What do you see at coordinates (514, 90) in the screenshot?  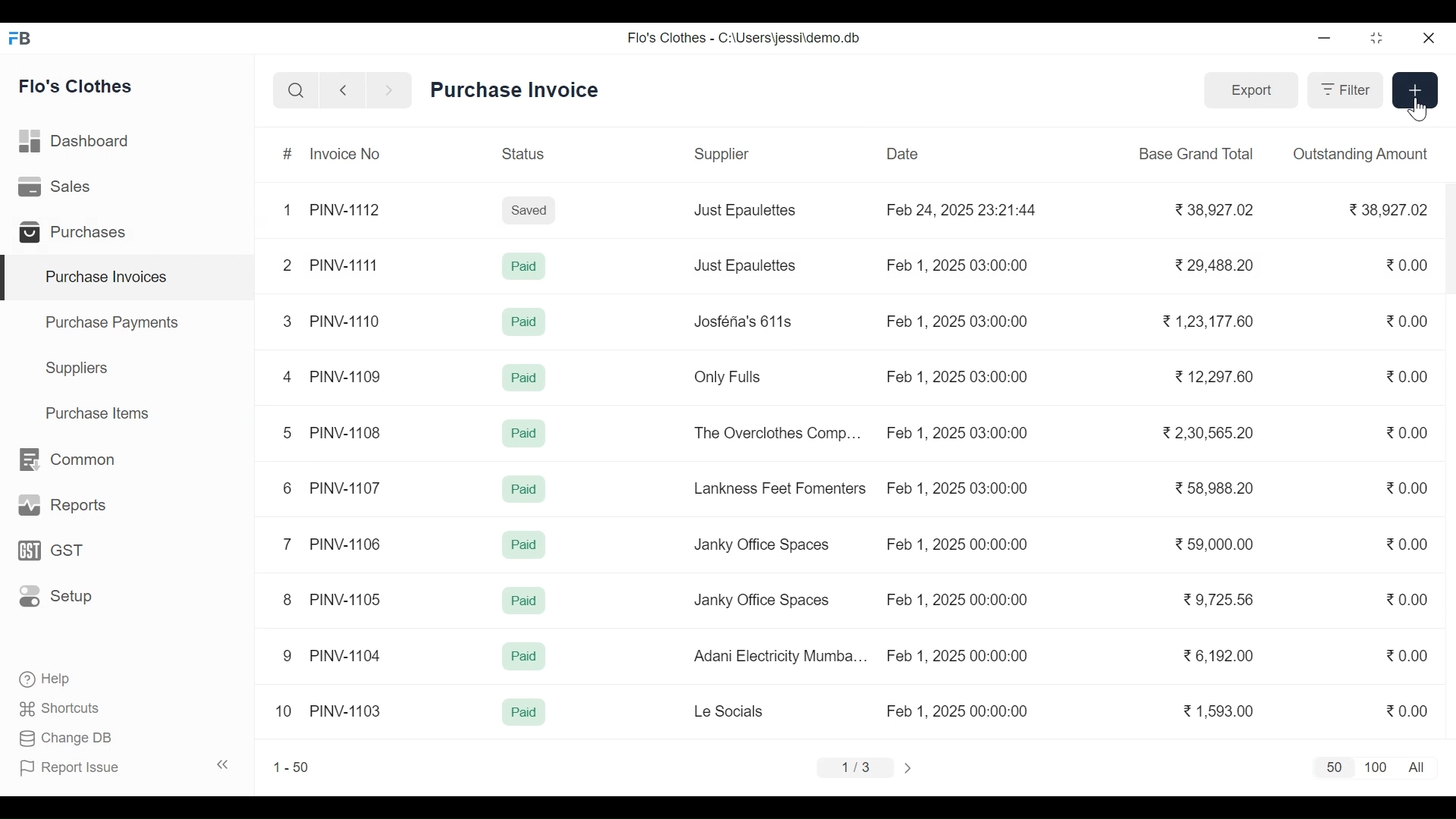 I see `Purchase Invoice` at bounding box center [514, 90].